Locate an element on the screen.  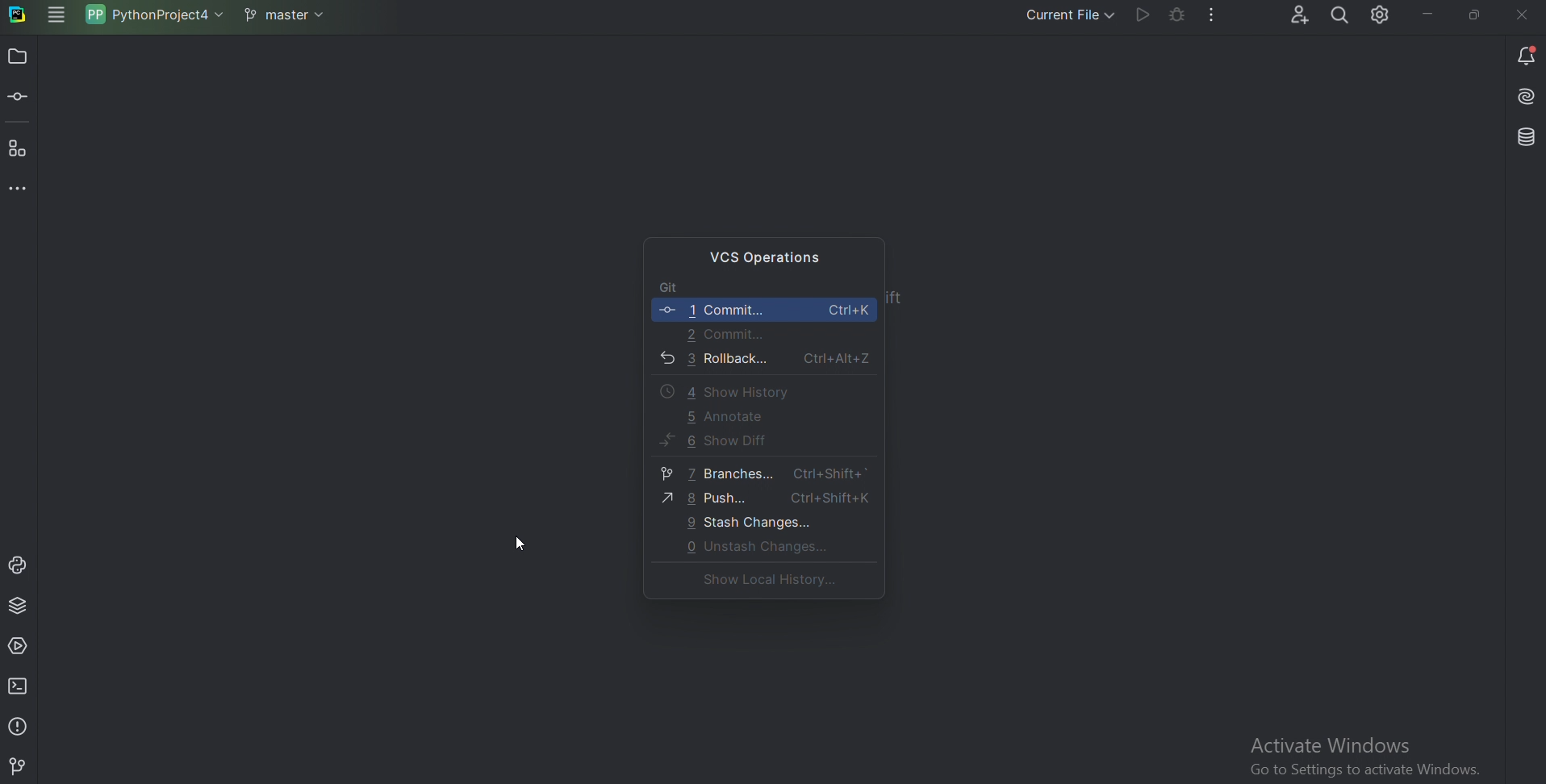
Search everywhere is located at coordinates (1338, 16).